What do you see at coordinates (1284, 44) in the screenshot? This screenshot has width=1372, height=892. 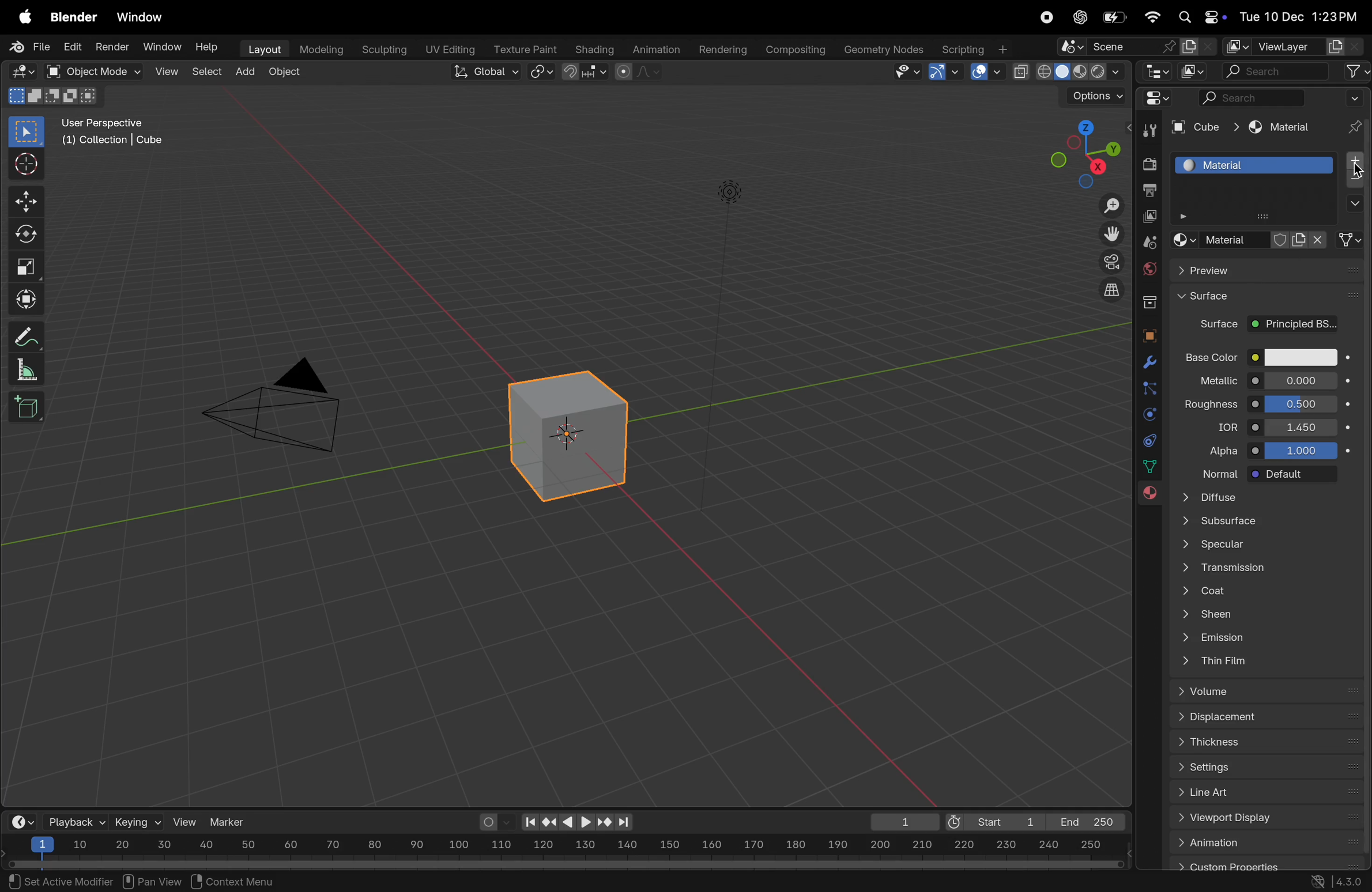 I see `view layer` at bounding box center [1284, 44].